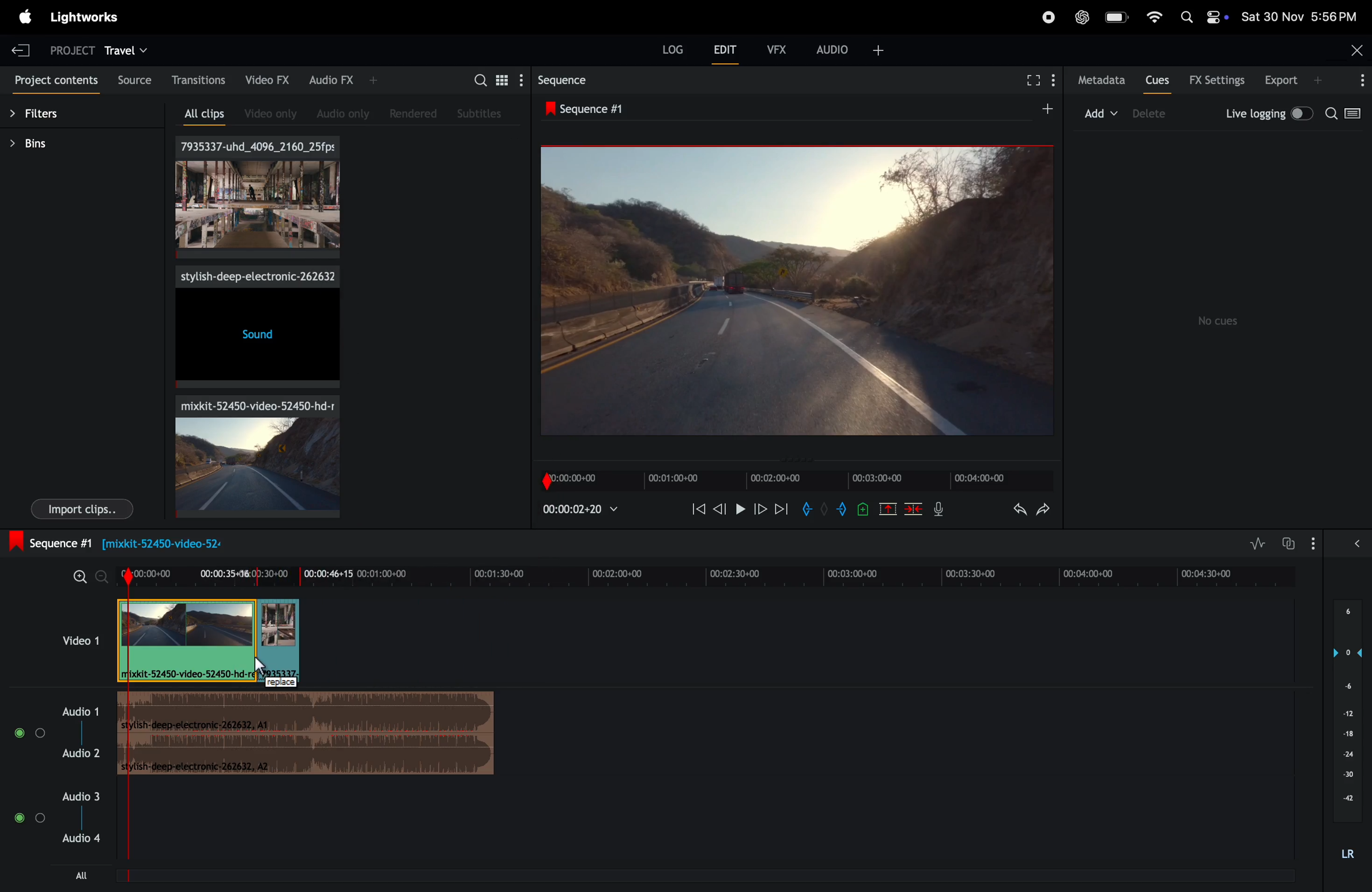 The height and width of the screenshot is (892, 1372). Describe the element at coordinates (1081, 18) in the screenshot. I see `chatgpt` at that location.